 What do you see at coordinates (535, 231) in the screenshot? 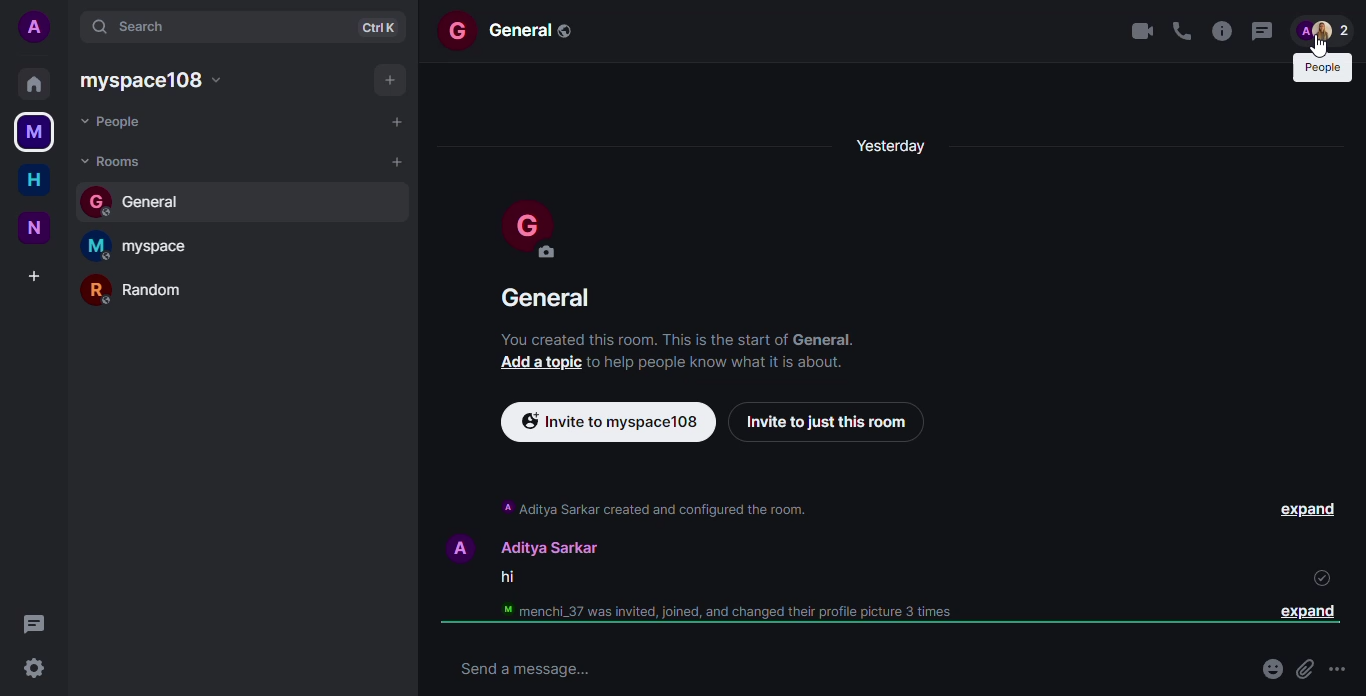
I see `profile pic` at bounding box center [535, 231].